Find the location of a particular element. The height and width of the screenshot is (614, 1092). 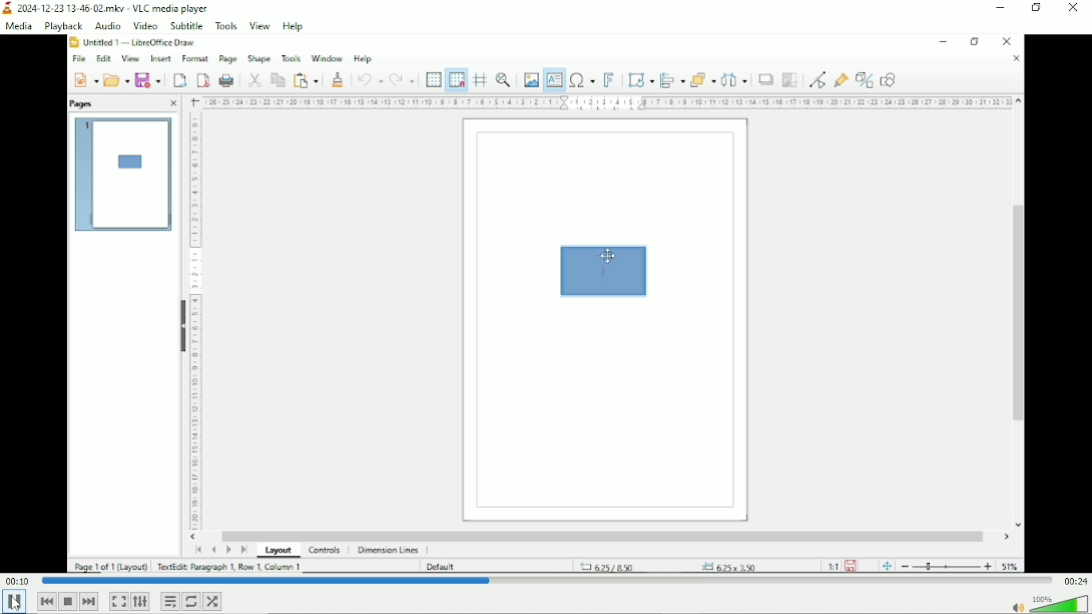

Restore down is located at coordinates (1035, 9).